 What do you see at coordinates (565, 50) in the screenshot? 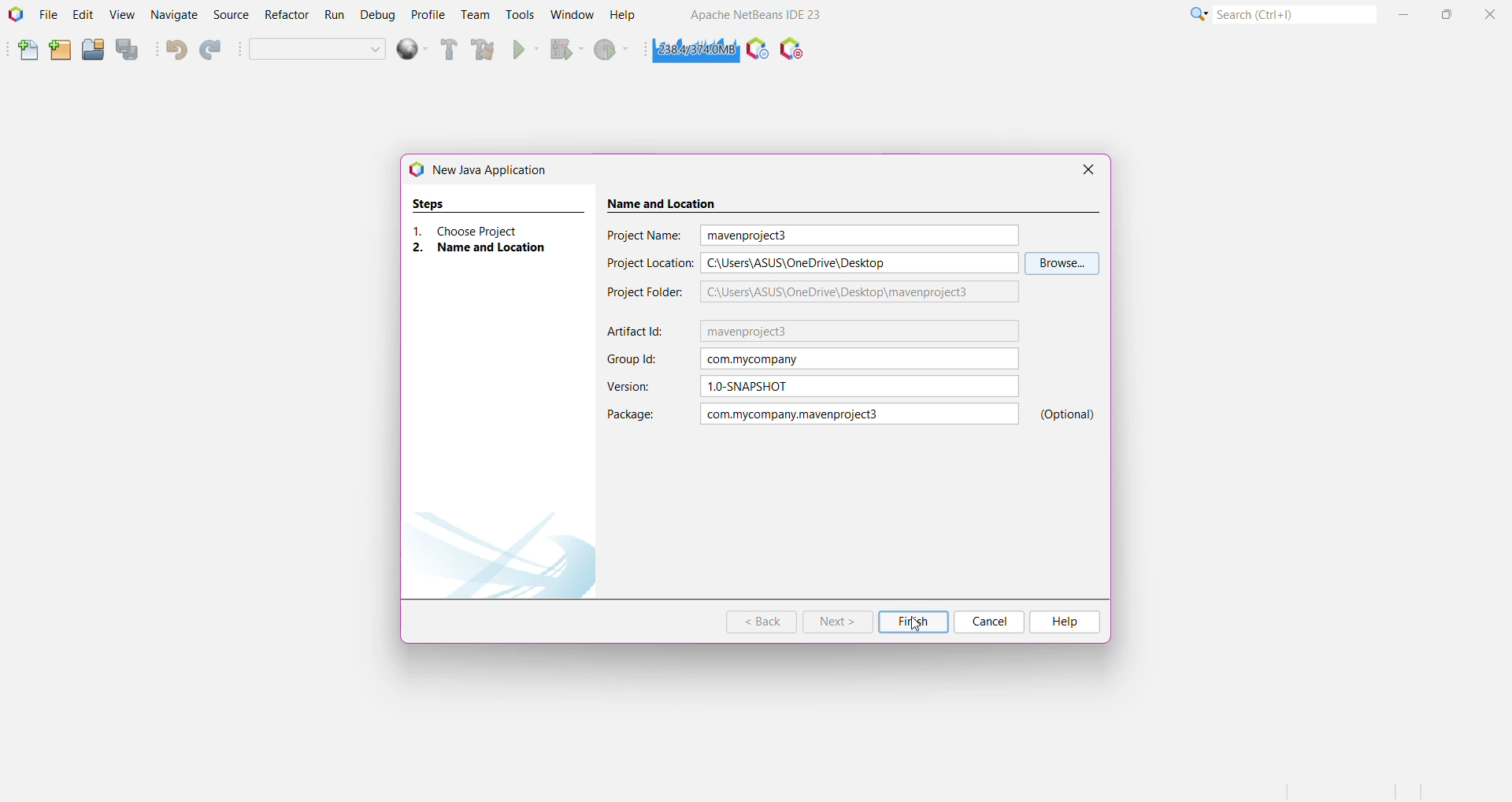
I see `Debug Project` at bounding box center [565, 50].